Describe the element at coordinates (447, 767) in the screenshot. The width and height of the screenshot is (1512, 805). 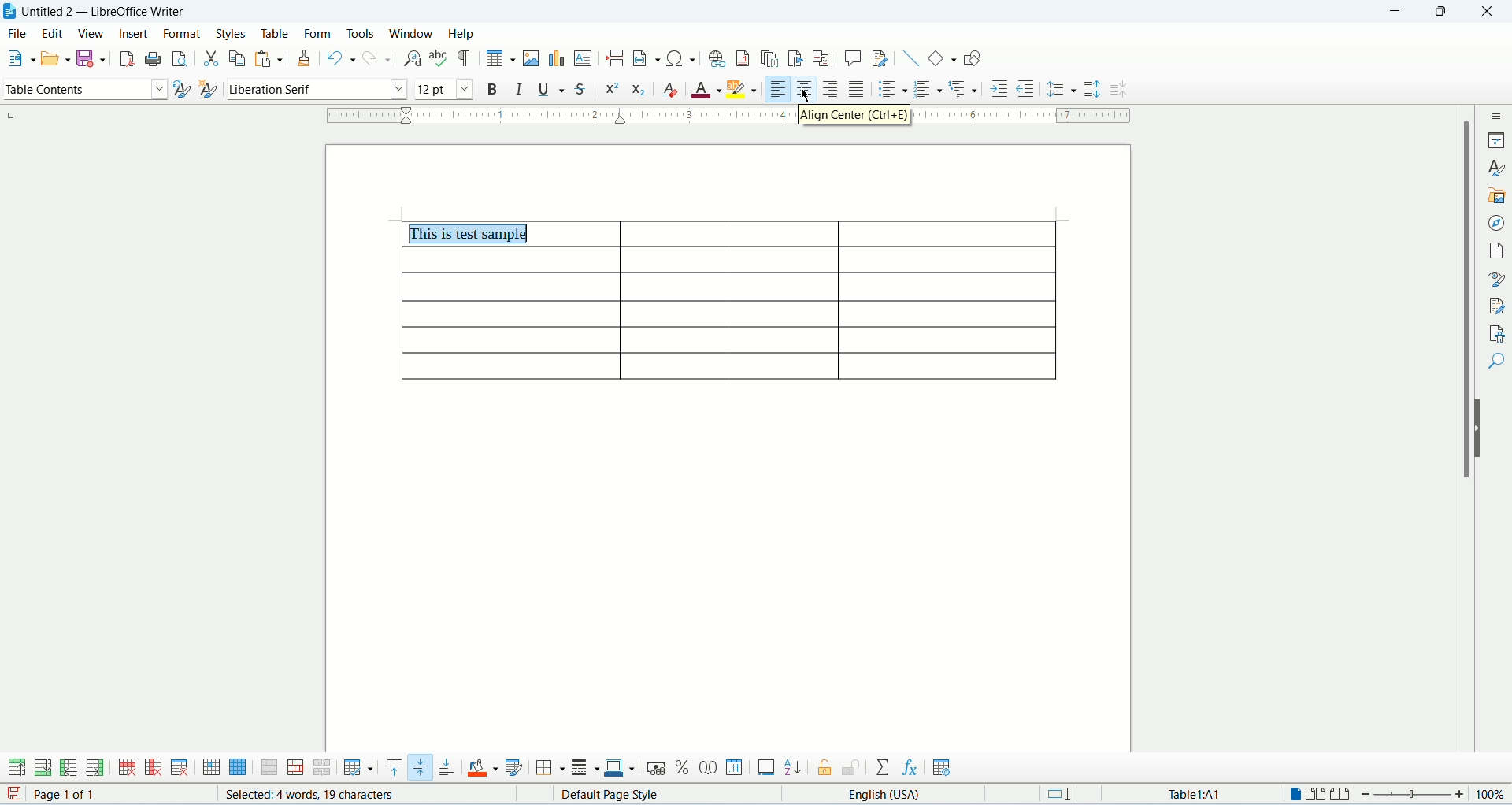
I see `align bottom` at that location.